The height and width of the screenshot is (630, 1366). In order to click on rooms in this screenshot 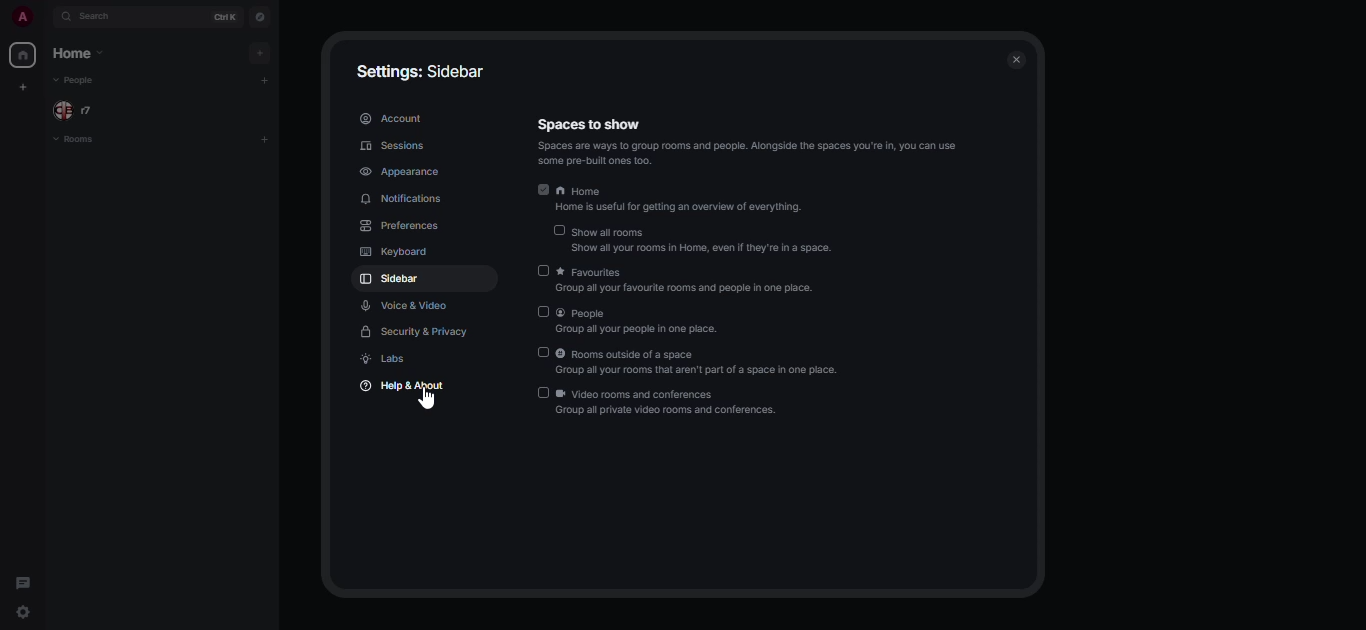, I will do `click(79, 141)`.